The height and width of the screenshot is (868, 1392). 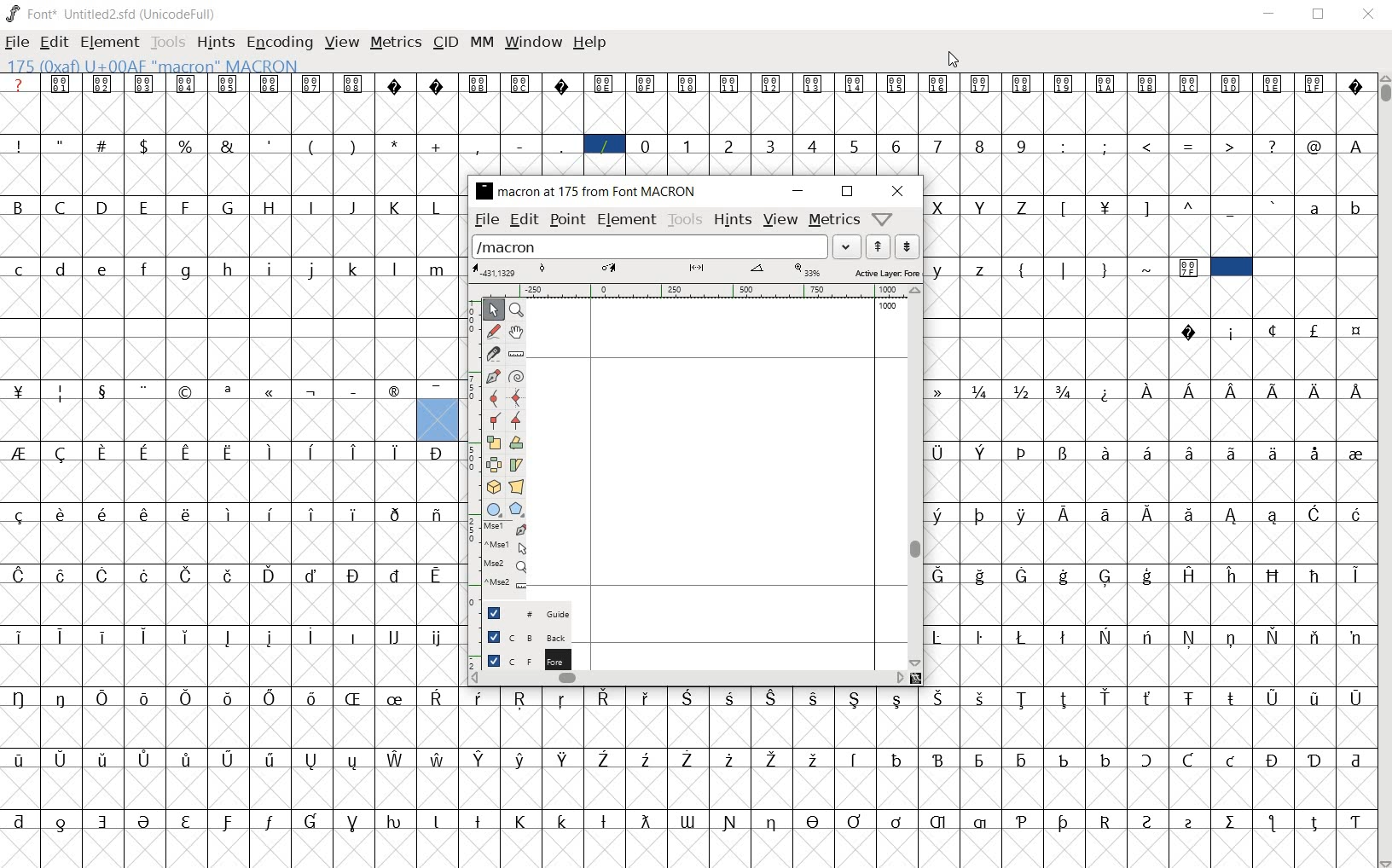 What do you see at coordinates (604, 819) in the screenshot?
I see `Symbol` at bounding box center [604, 819].